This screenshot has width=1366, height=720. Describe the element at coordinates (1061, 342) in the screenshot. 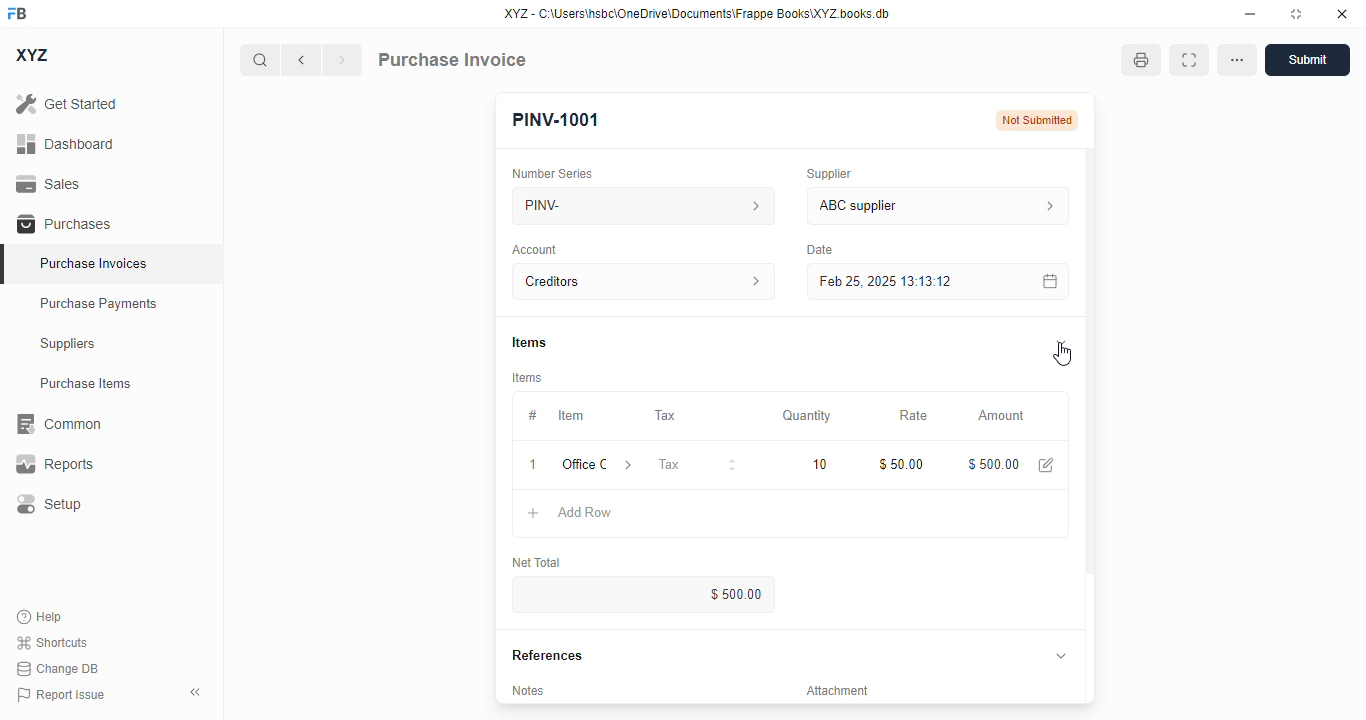

I see `toggle expand/contract` at that location.